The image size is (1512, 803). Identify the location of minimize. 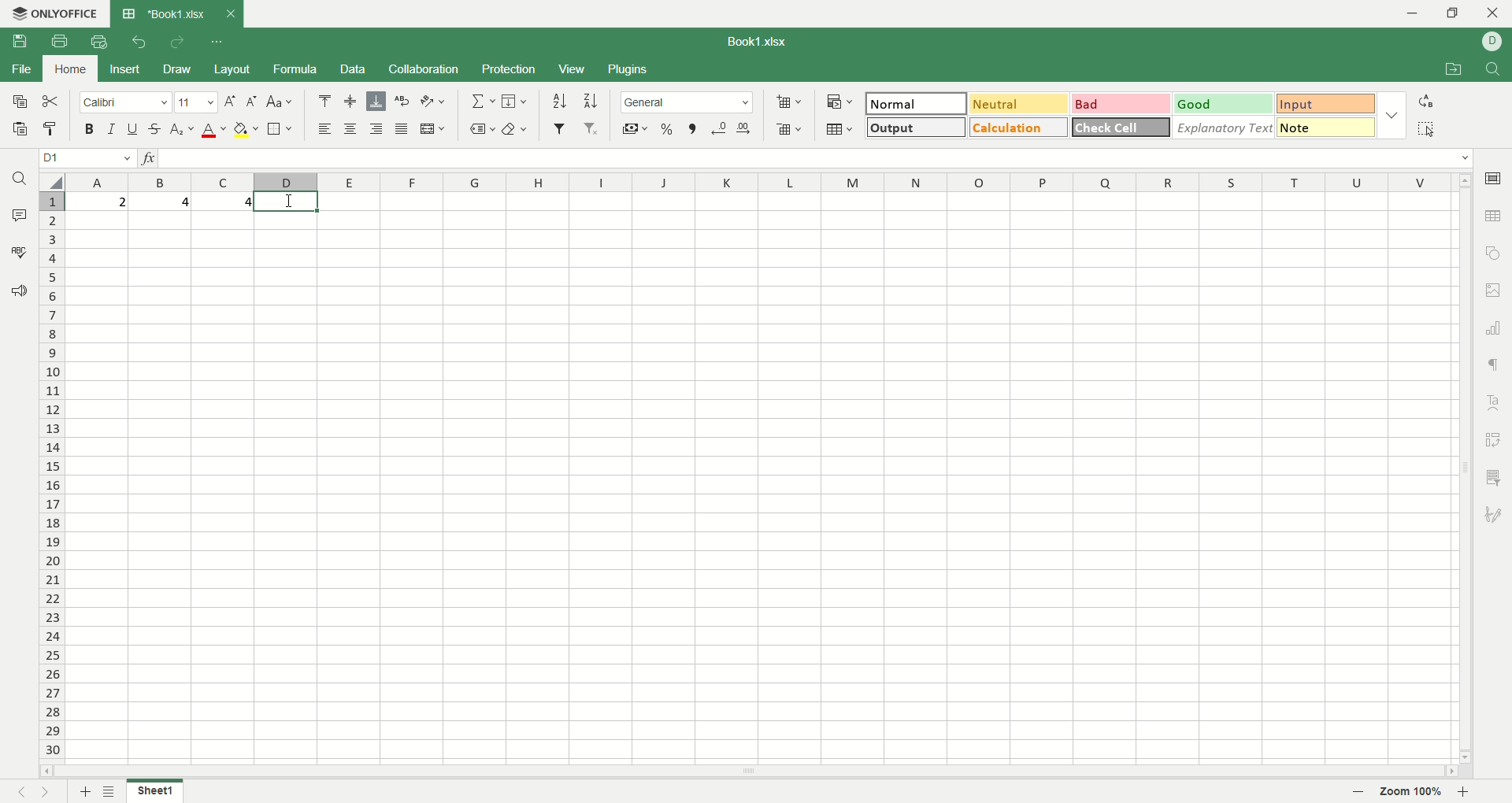
(1411, 13).